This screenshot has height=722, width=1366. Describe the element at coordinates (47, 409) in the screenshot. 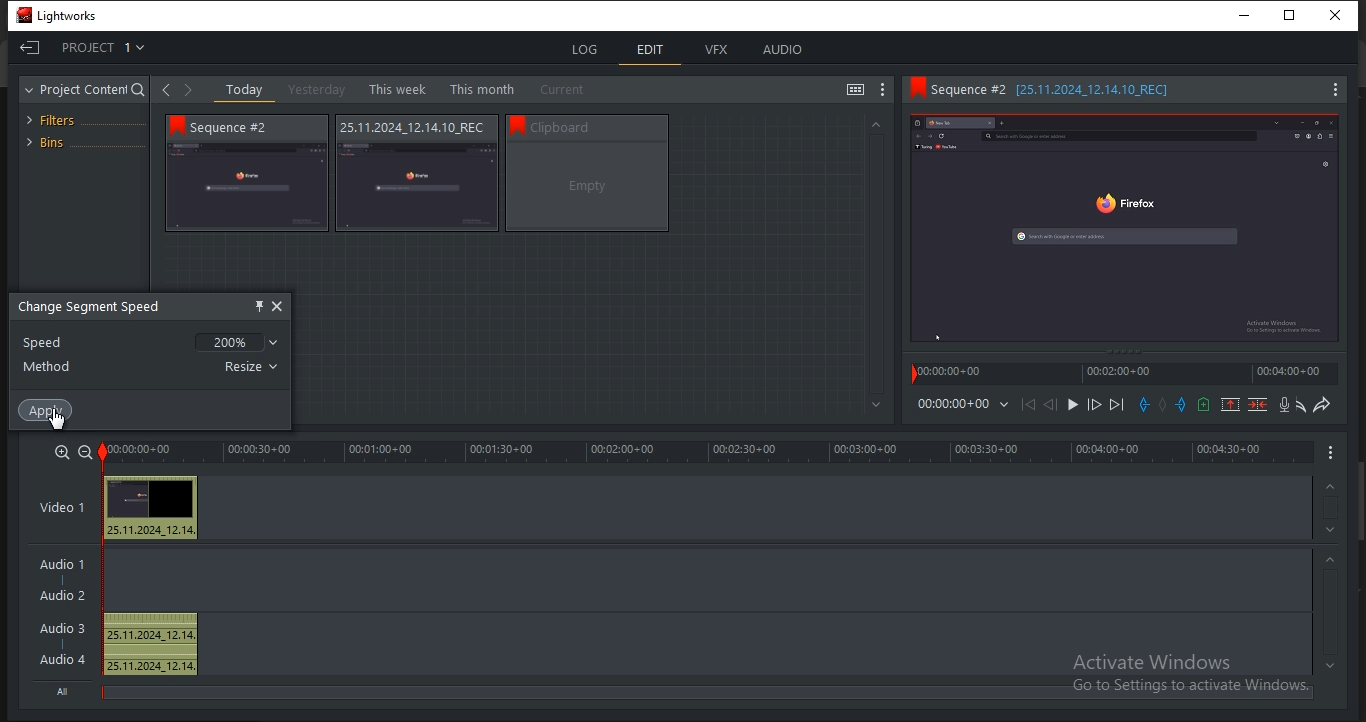

I see `apply` at that location.